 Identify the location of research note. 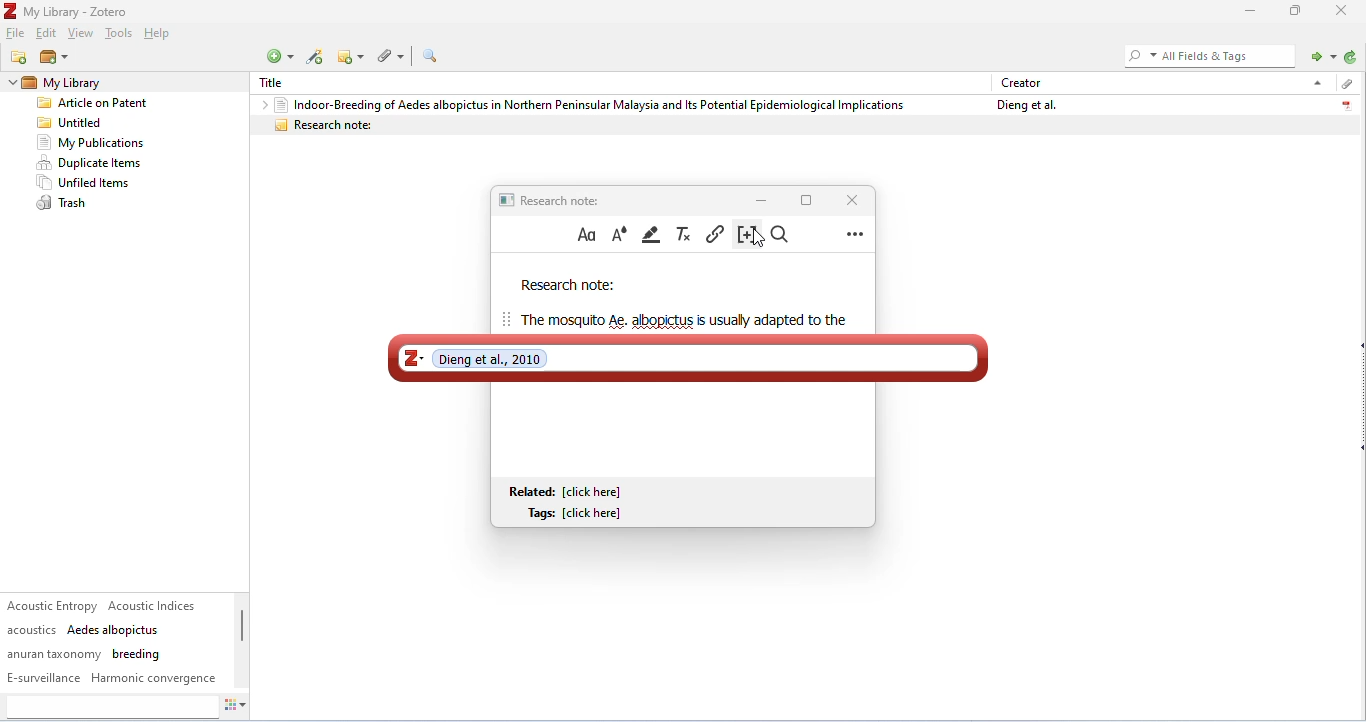
(804, 125).